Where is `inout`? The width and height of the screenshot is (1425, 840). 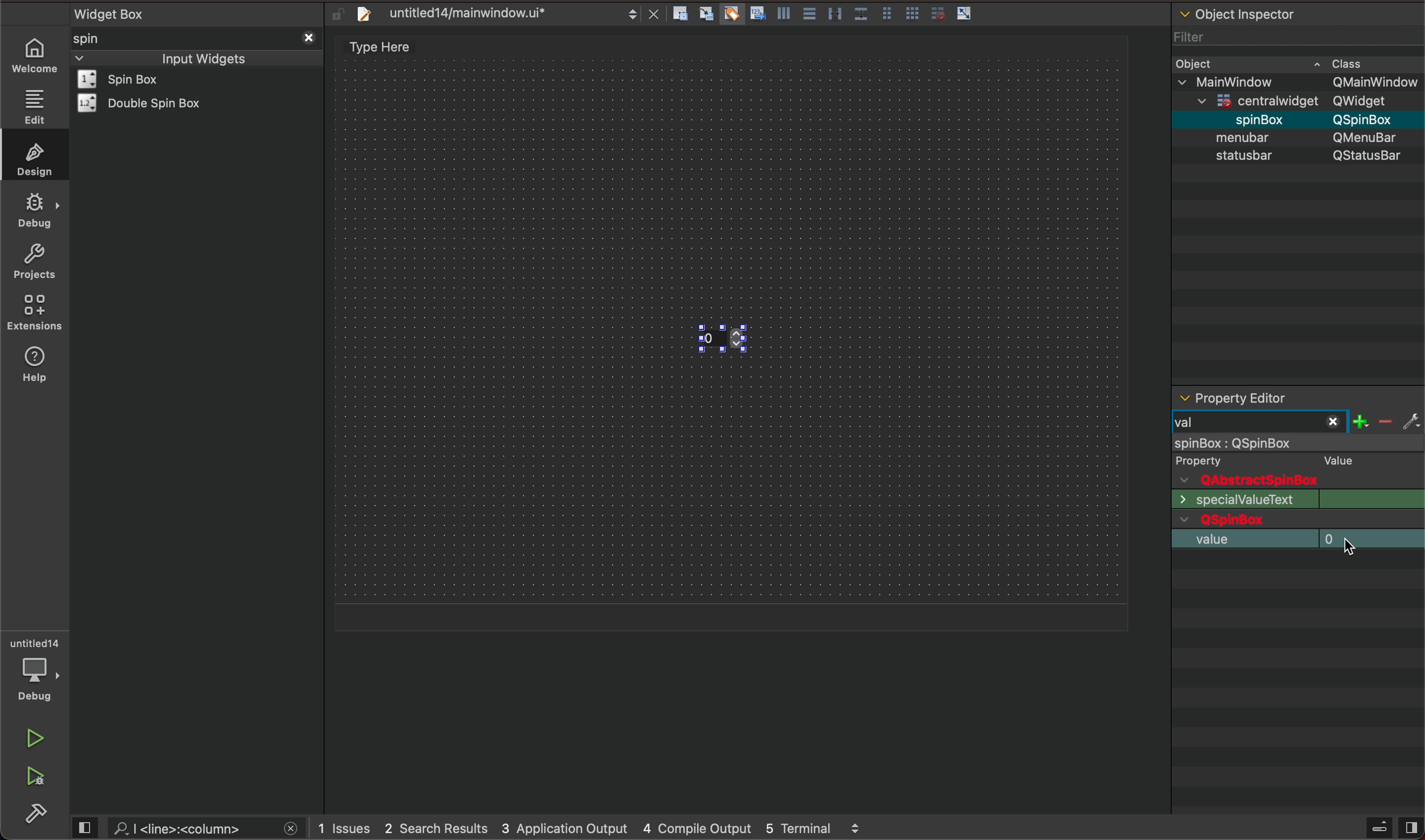 inout is located at coordinates (203, 57).